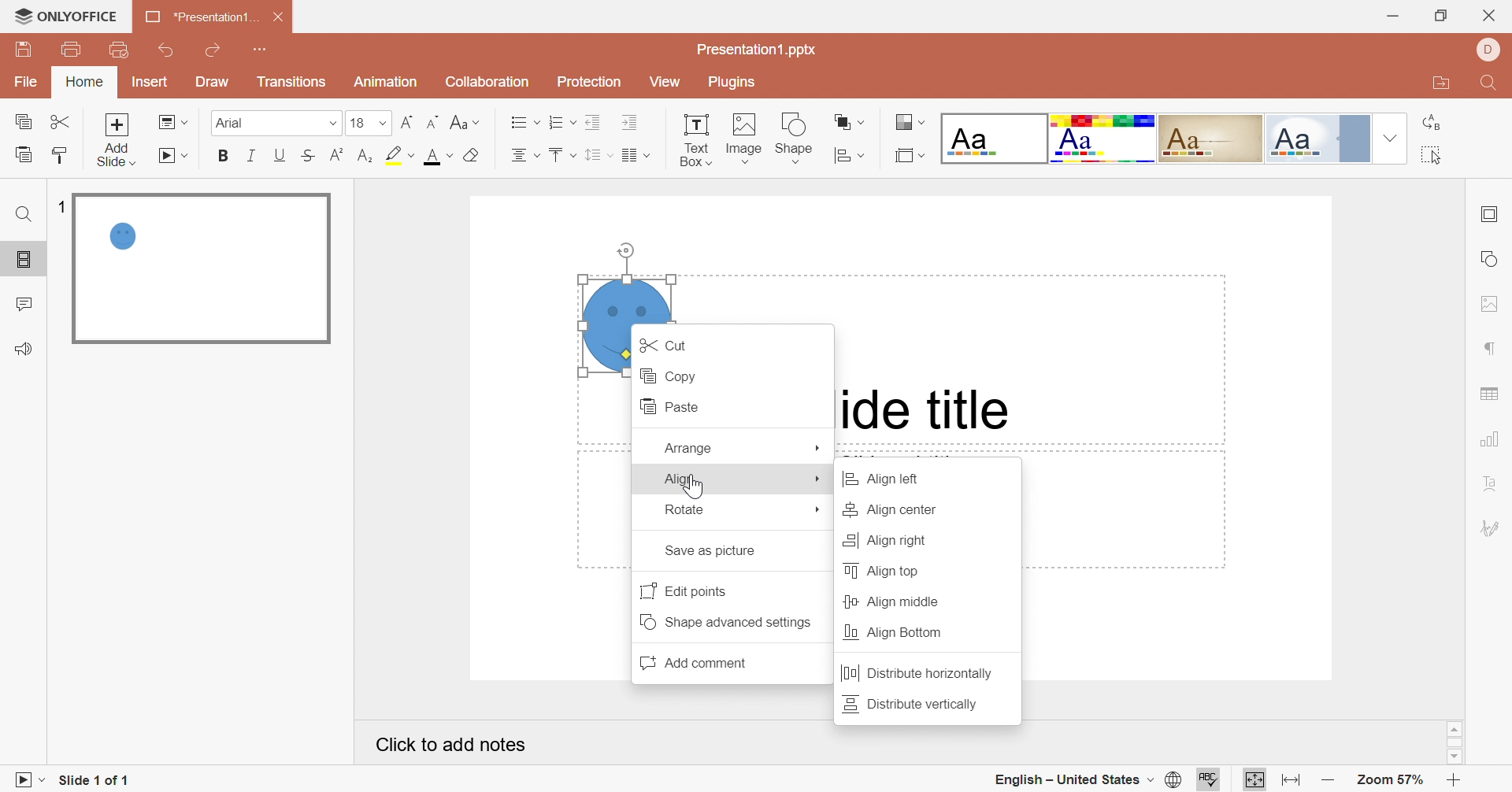 The image size is (1512, 792). Describe the element at coordinates (403, 121) in the screenshot. I see `Increment font size` at that location.